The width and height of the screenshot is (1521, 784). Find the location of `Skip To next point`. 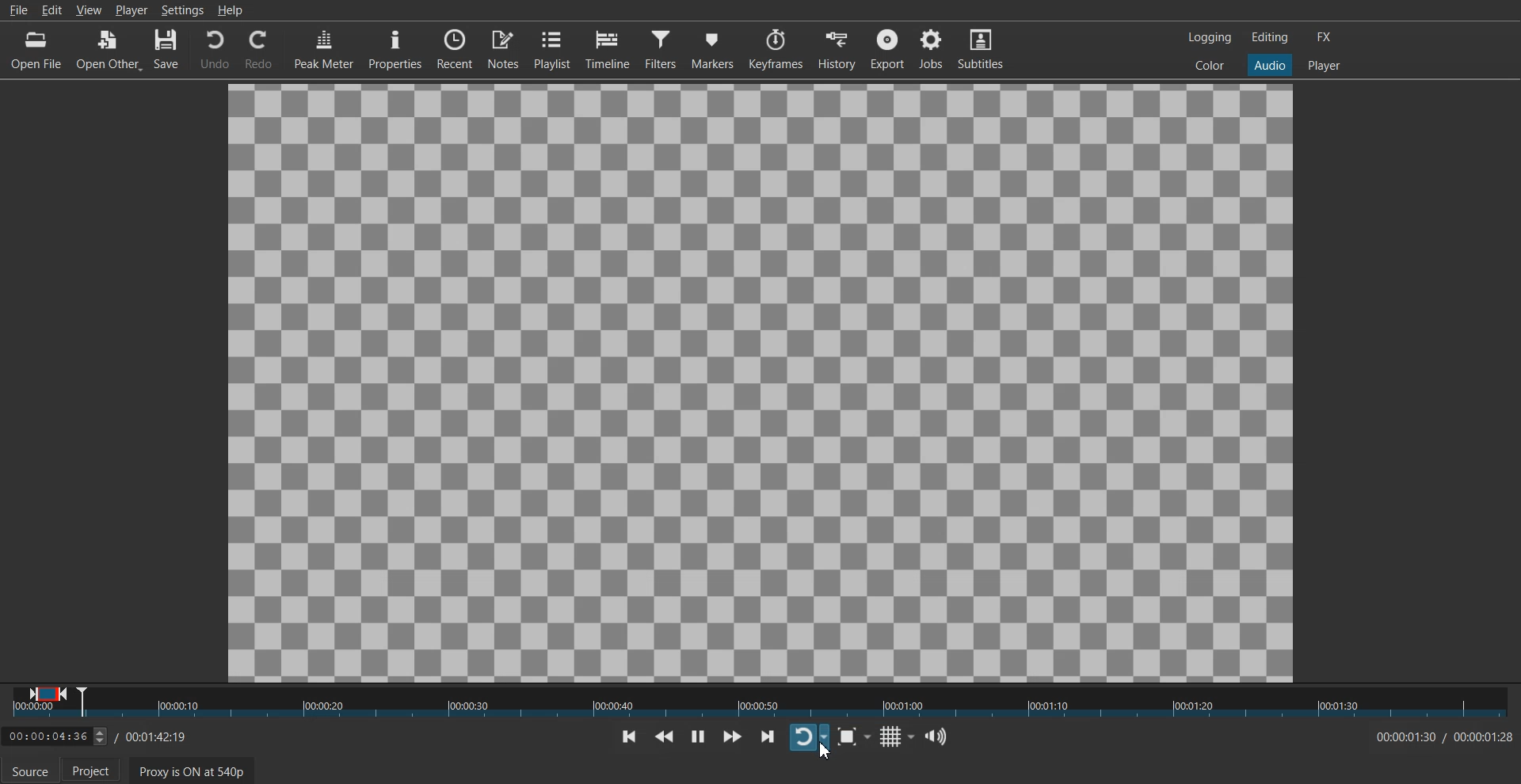

Skip To next point is located at coordinates (768, 736).